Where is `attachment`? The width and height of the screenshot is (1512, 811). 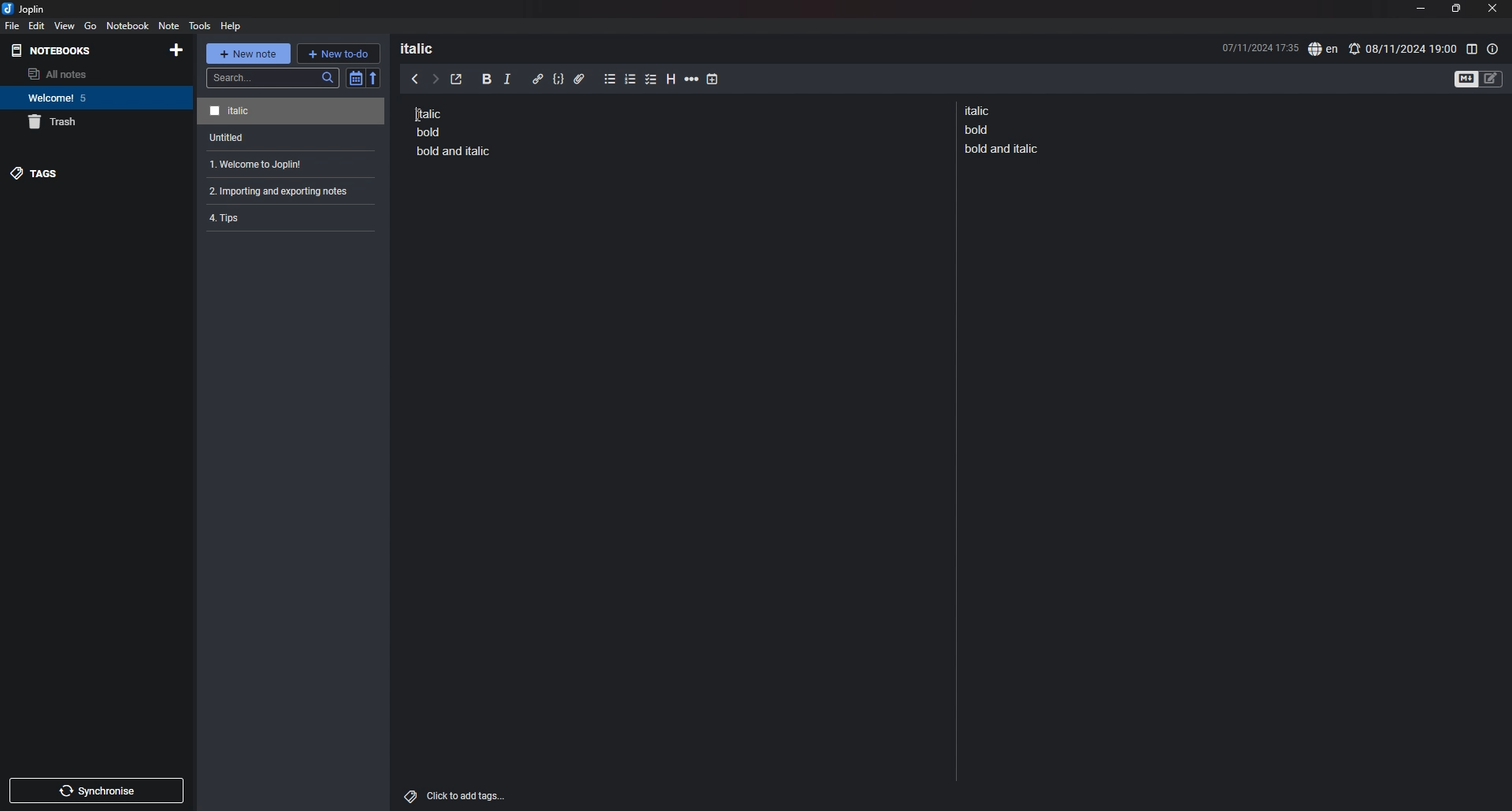
attachment is located at coordinates (580, 80).